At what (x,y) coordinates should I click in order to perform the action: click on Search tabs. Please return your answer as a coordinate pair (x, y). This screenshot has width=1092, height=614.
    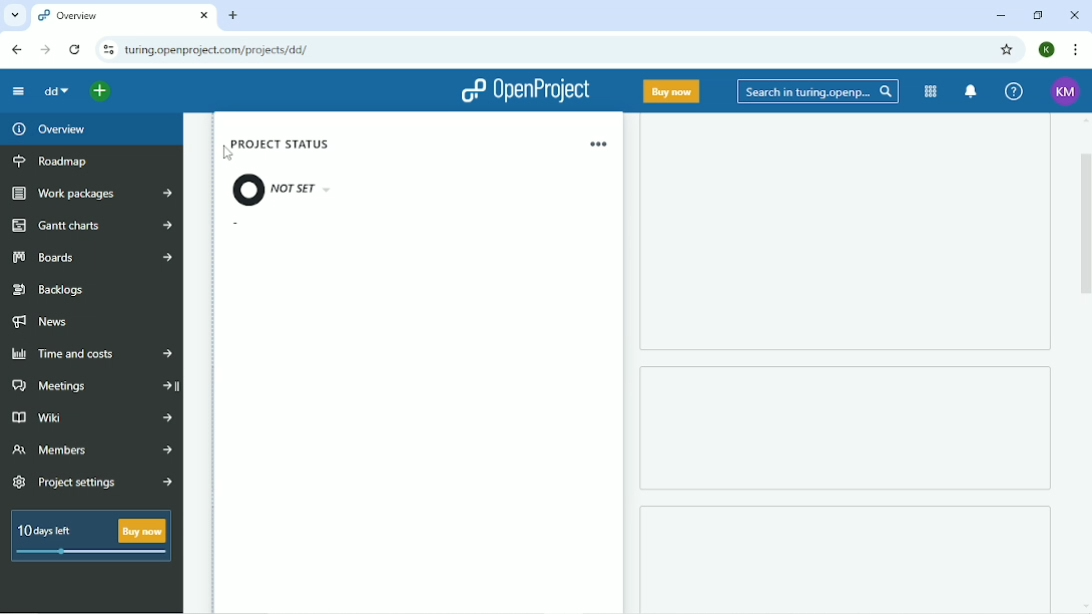
    Looking at the image, I should click on (14, 14).